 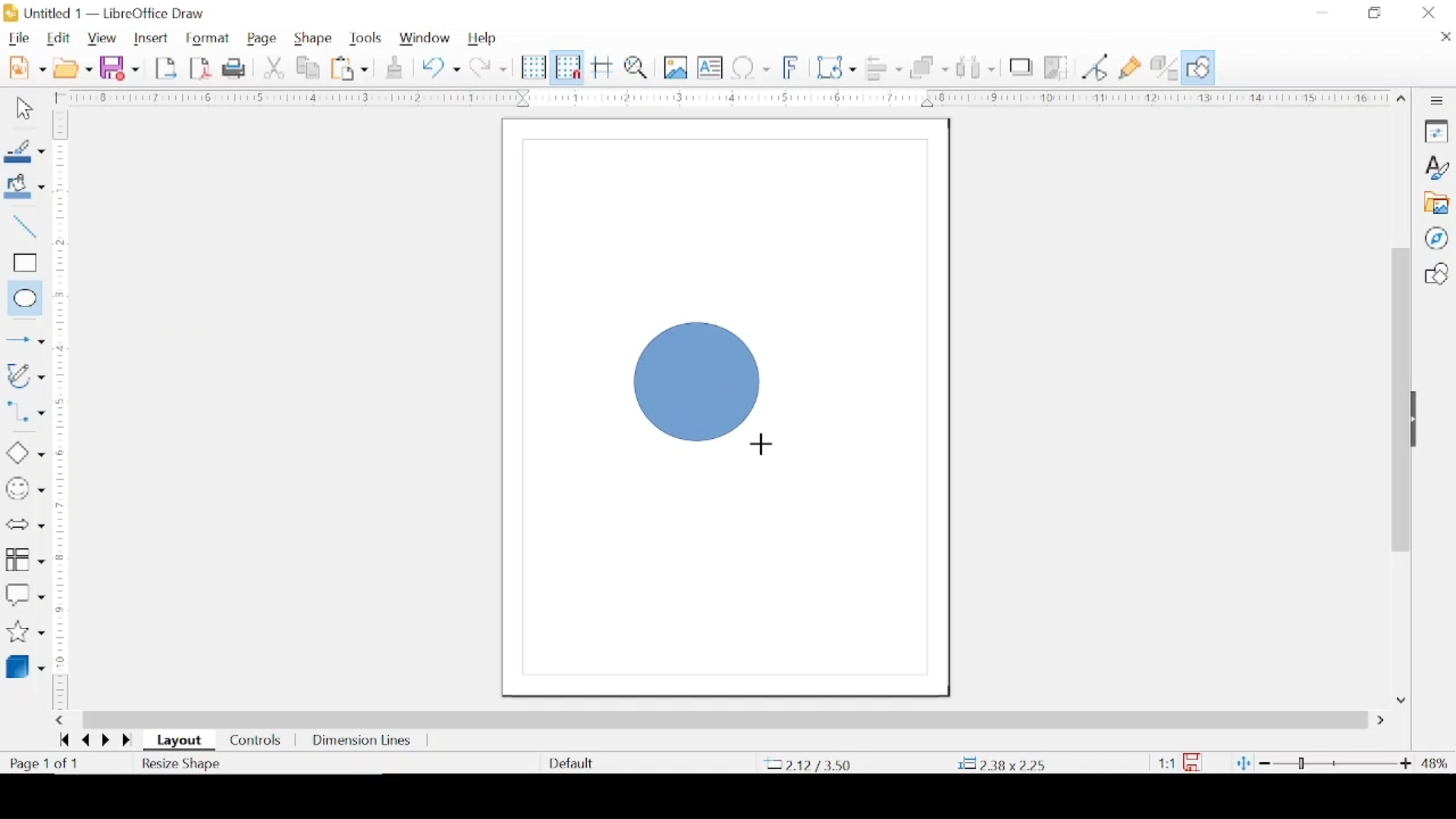 What do you see at coordinates (1430, 12) in the screenshot?
I see `close` at bounding box center [1430, 12].